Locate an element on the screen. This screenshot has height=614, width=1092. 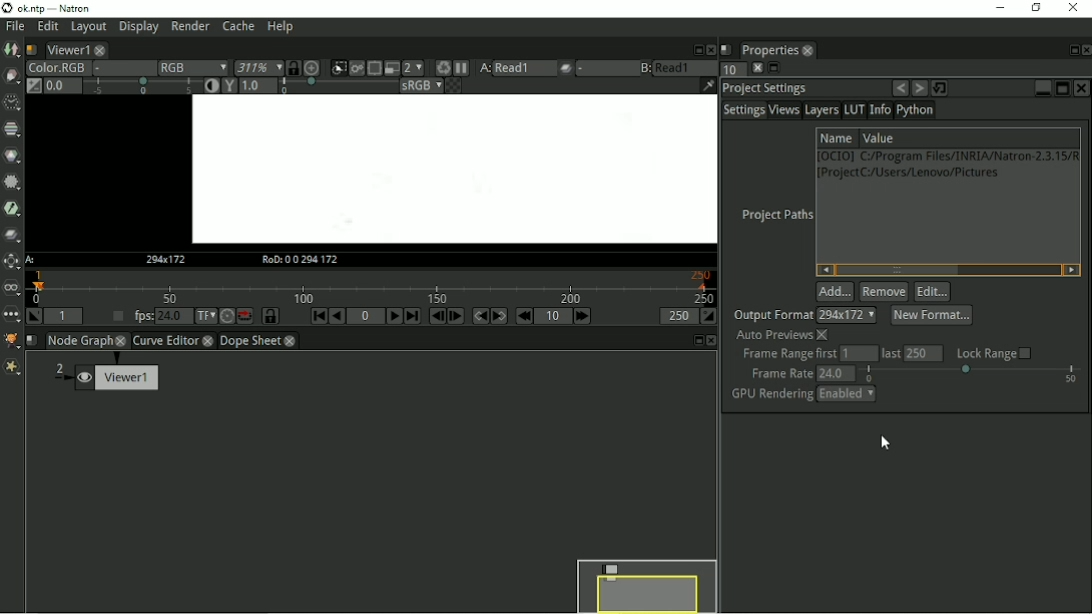
Help is located at coordinates (279, 27).